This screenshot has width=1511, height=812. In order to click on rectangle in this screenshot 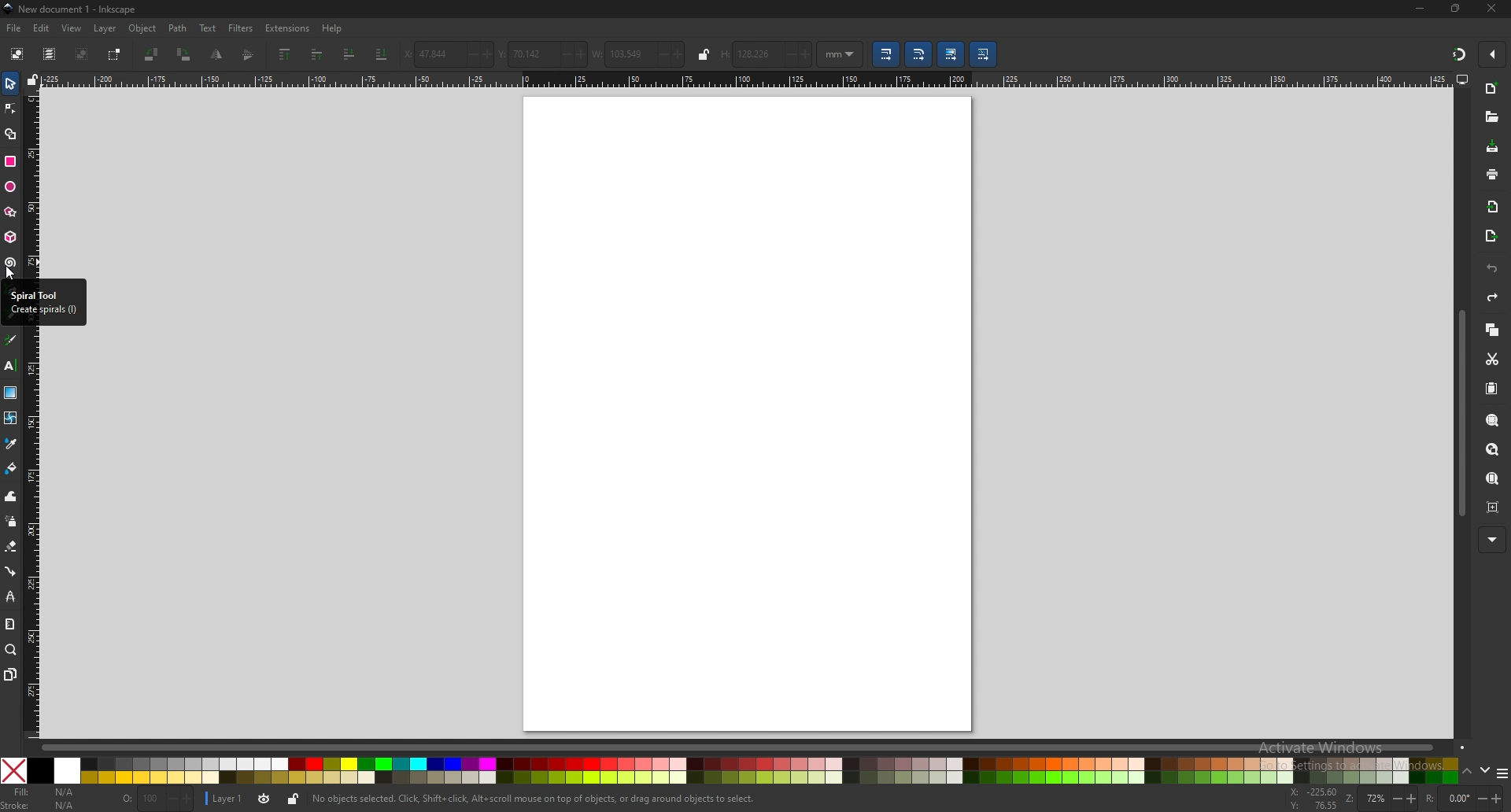, I will do `click(12, 161)`.